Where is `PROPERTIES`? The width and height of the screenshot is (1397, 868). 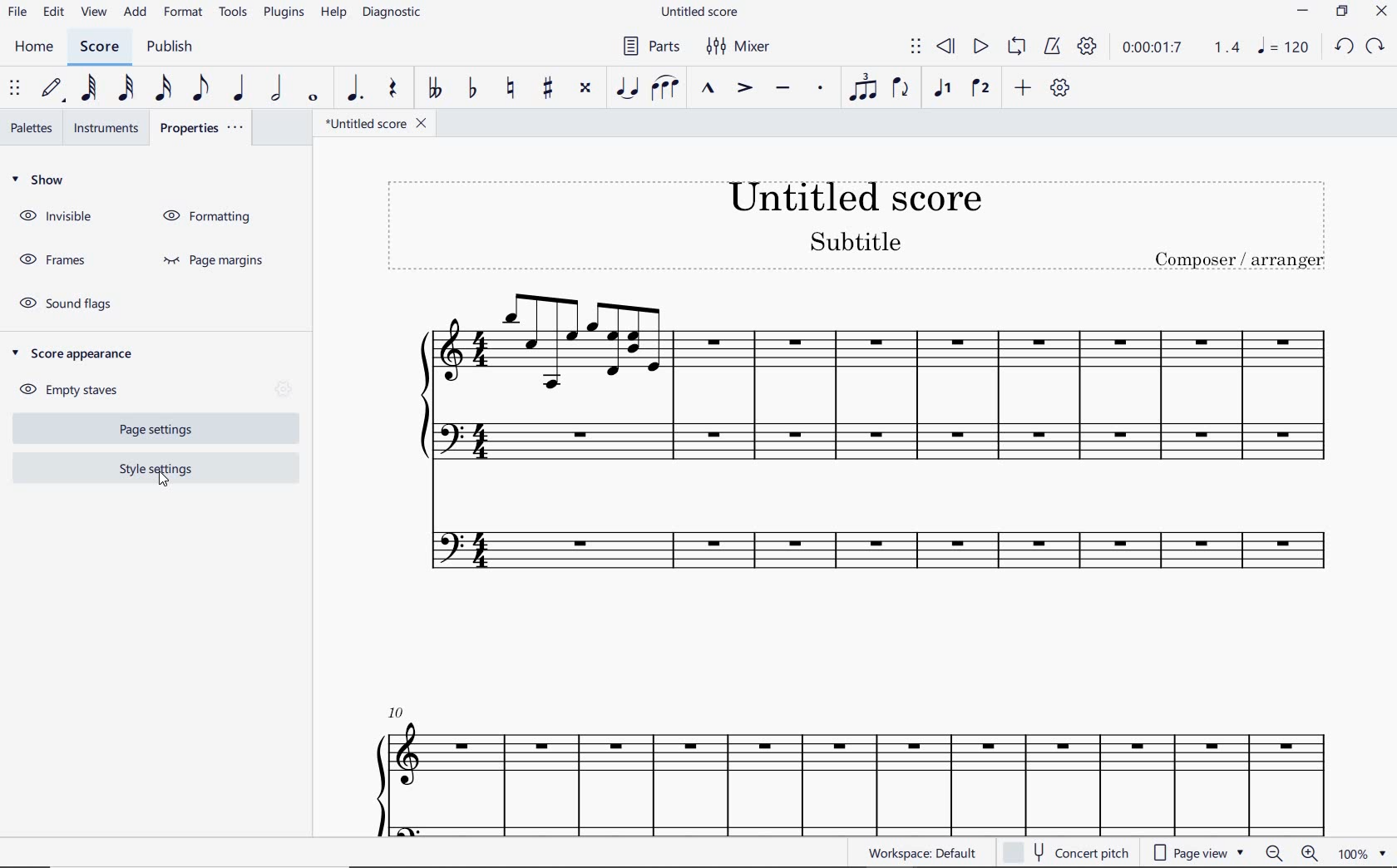 PROPERTIES is located at coordinates (202, 127).